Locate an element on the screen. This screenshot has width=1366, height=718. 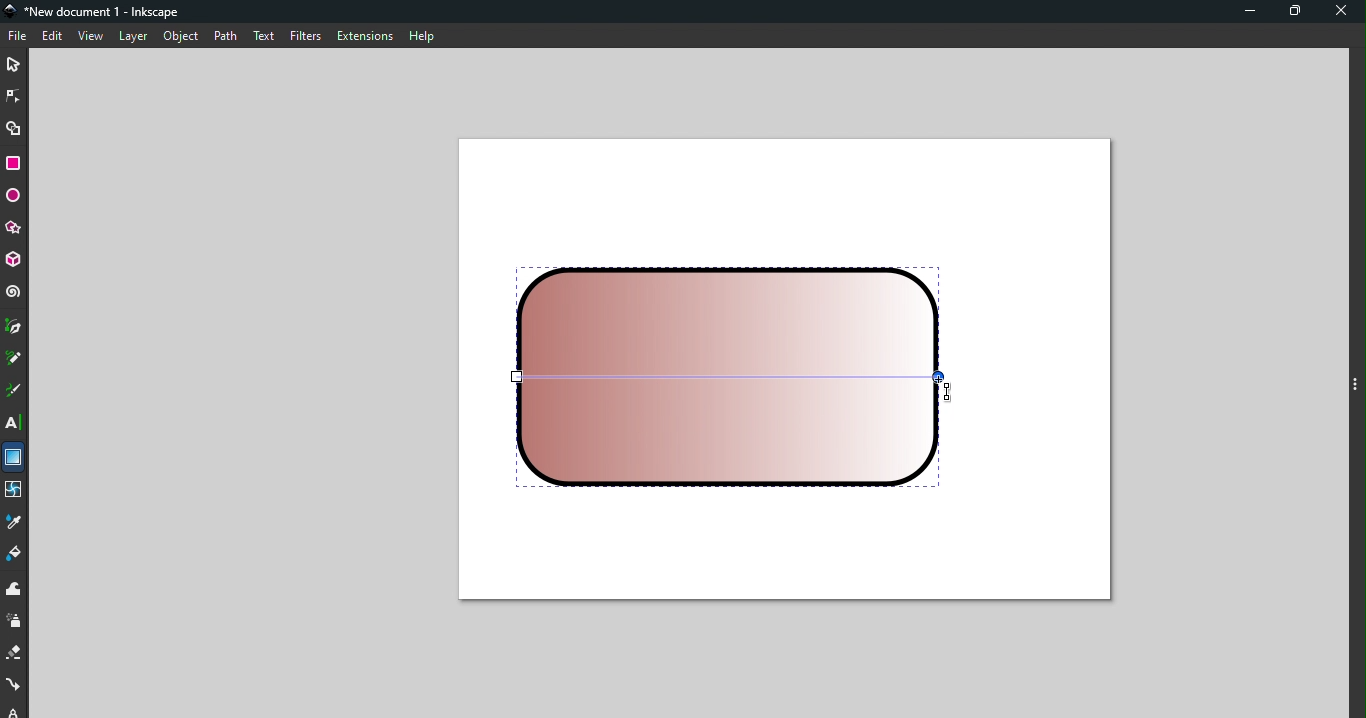
Tweak tool is located at coordinates (14, 590).